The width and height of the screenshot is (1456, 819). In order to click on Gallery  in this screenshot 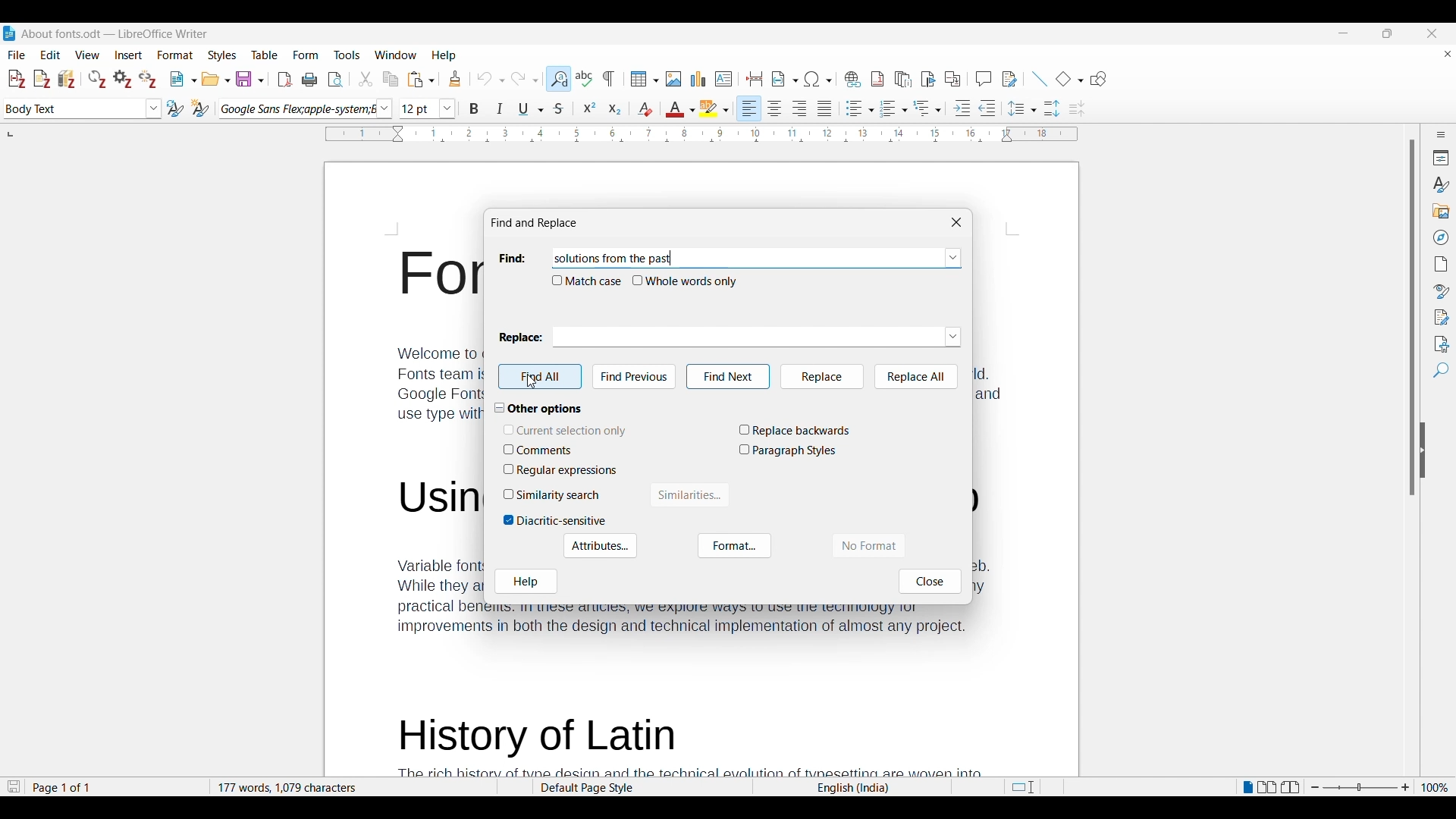, I will do `click(1439, 211)`.